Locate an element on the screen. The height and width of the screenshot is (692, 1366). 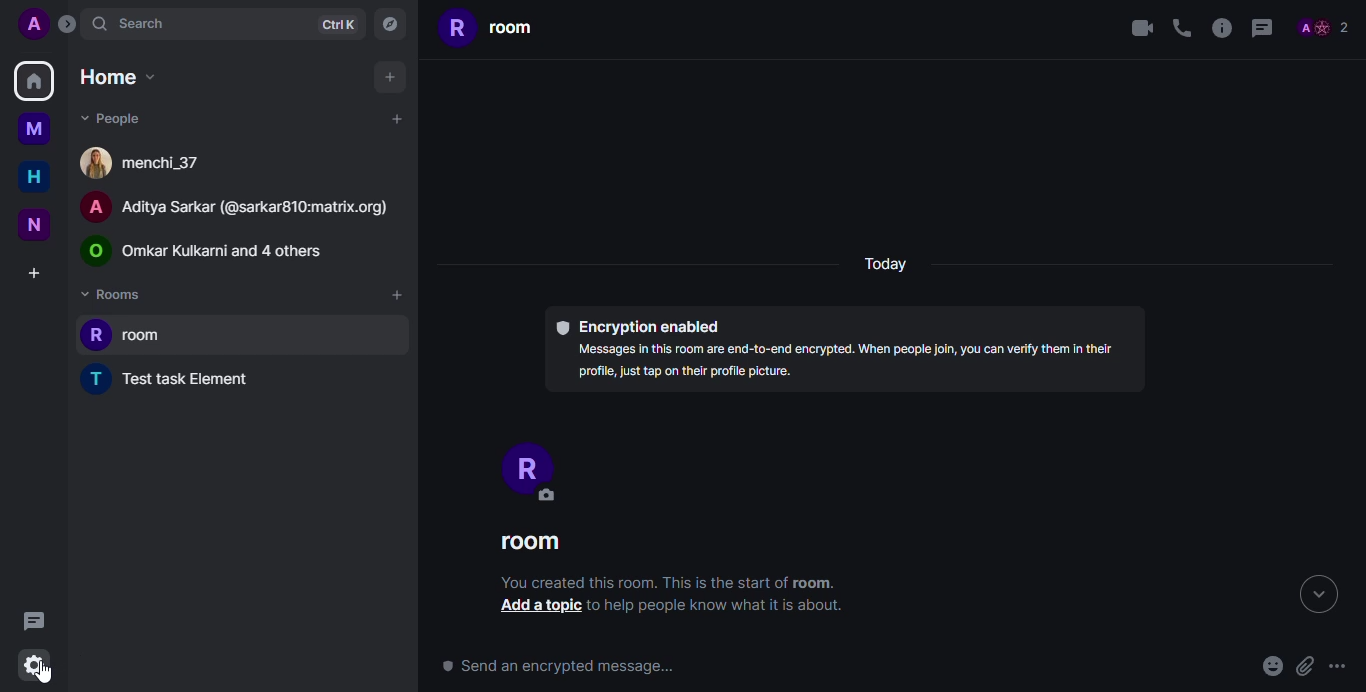
cursor is located at coordinates (53, 674).